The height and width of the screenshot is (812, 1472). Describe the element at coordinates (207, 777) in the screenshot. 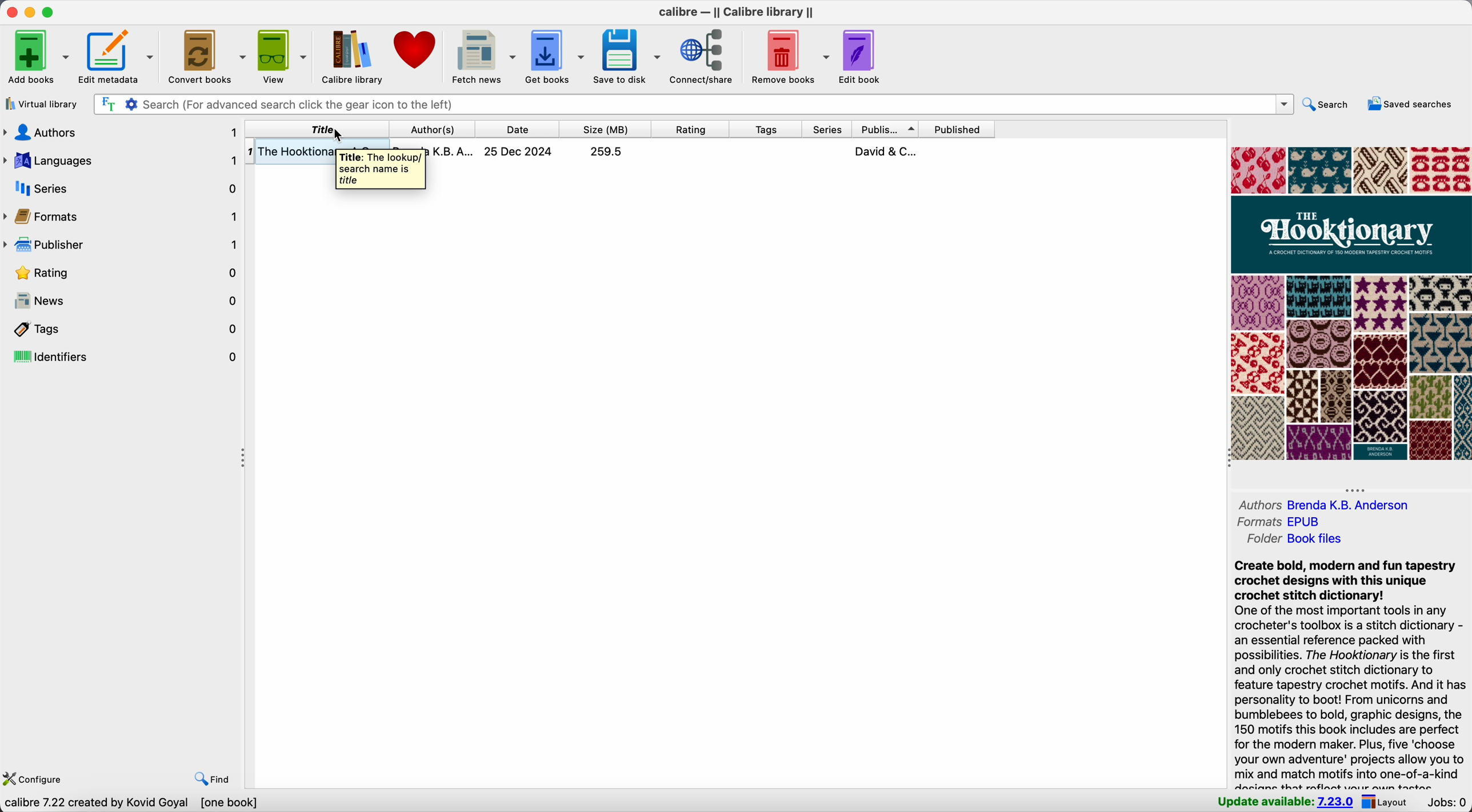

I see `find` at that location.